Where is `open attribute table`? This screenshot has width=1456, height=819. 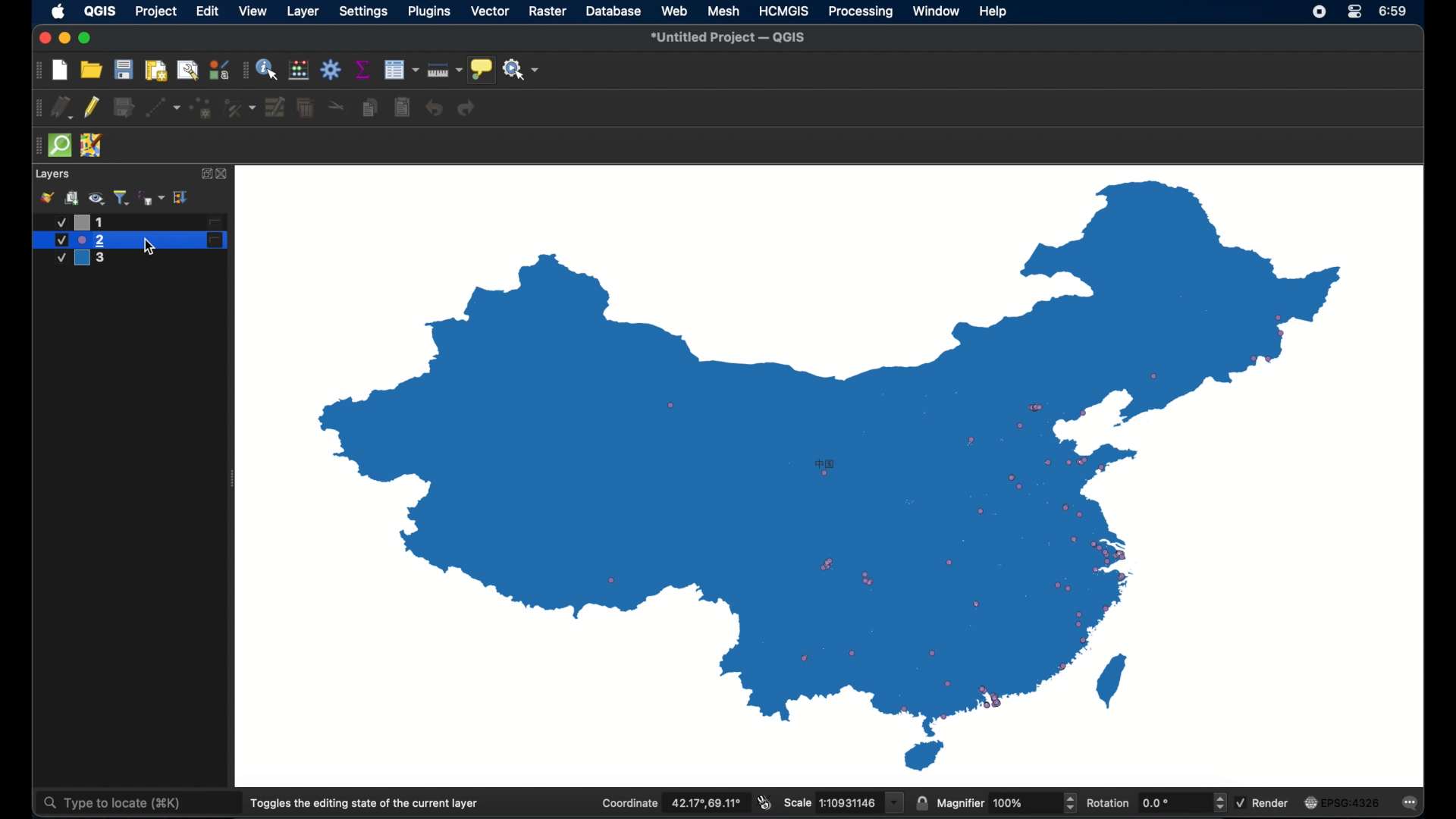
open attribute table is located at coordinates (402, 69).